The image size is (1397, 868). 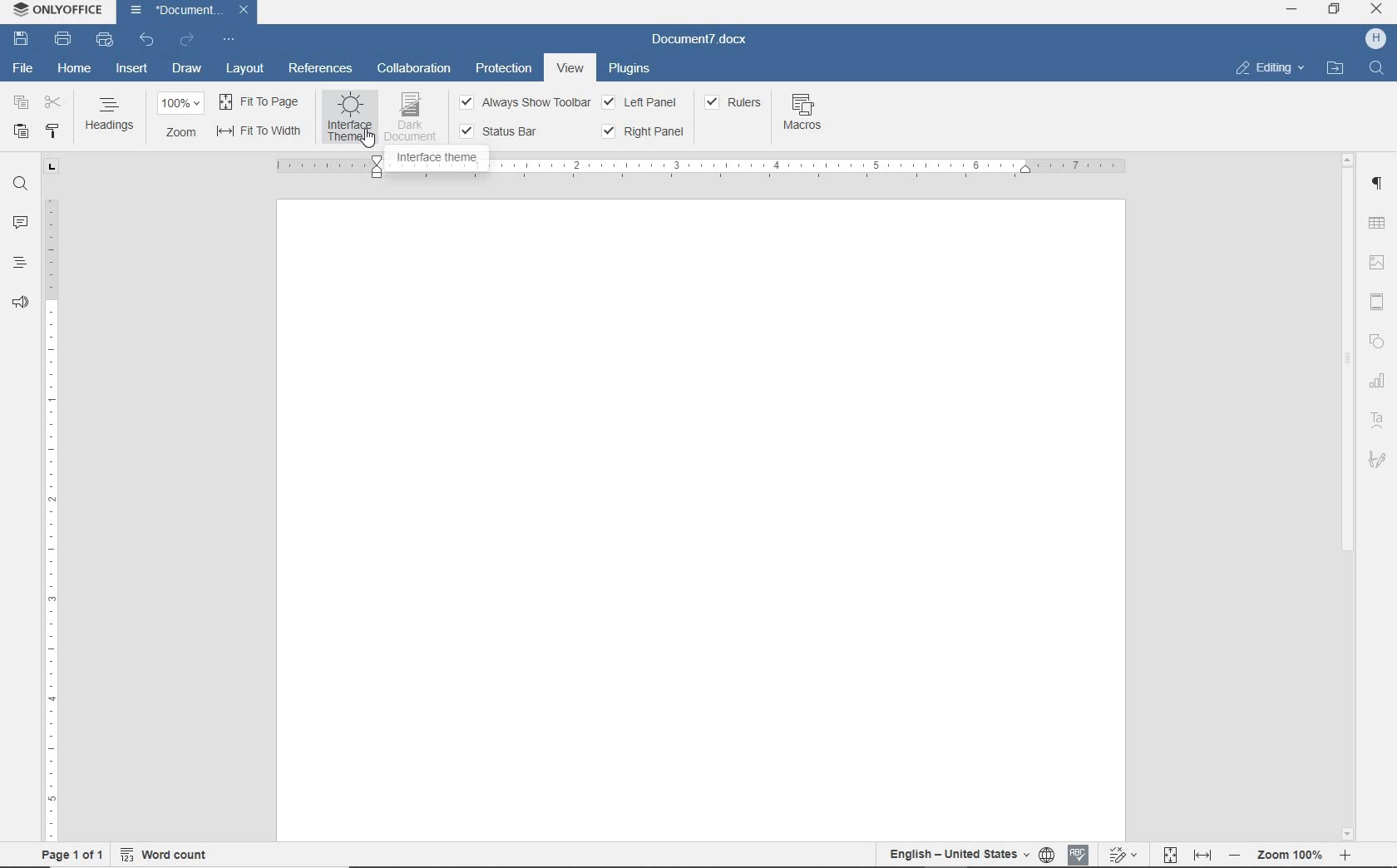 What do you see at coordinates (642, 131) in the screenshot?
I see `RIGHT PANE` at bounding box center [642, 131].